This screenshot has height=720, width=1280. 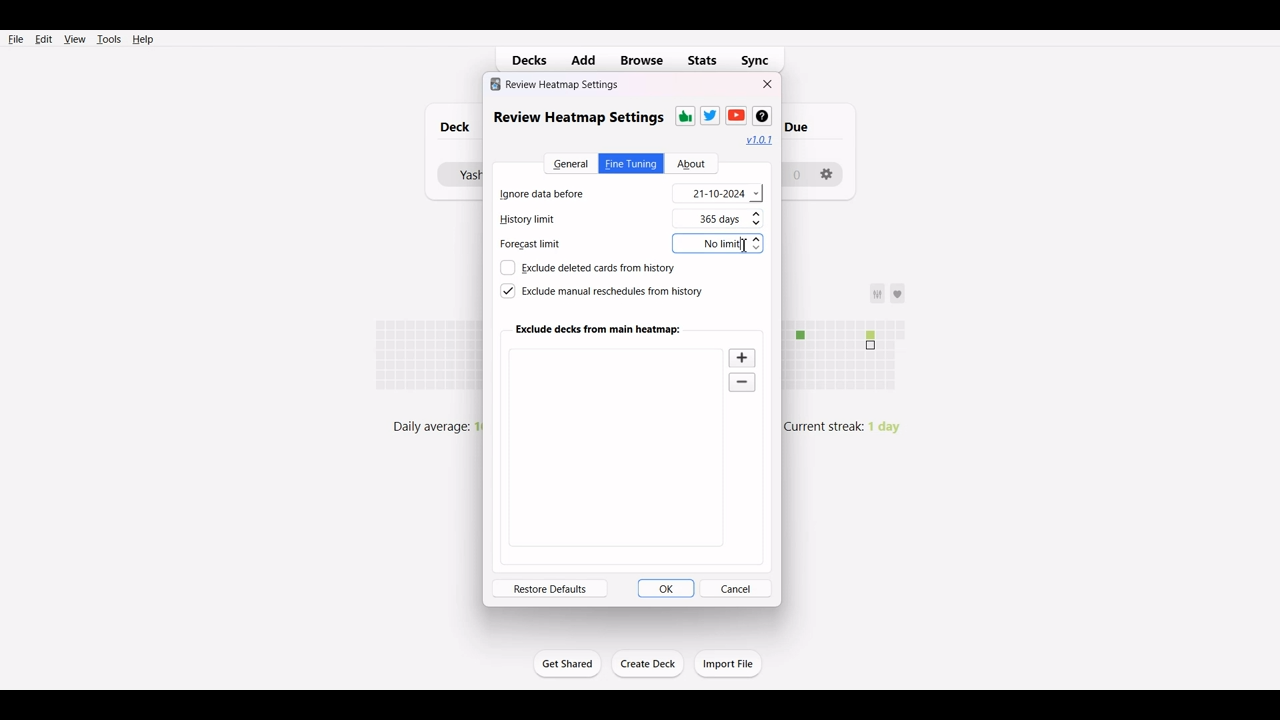 I want to click on File, so click(x=16, y=38).